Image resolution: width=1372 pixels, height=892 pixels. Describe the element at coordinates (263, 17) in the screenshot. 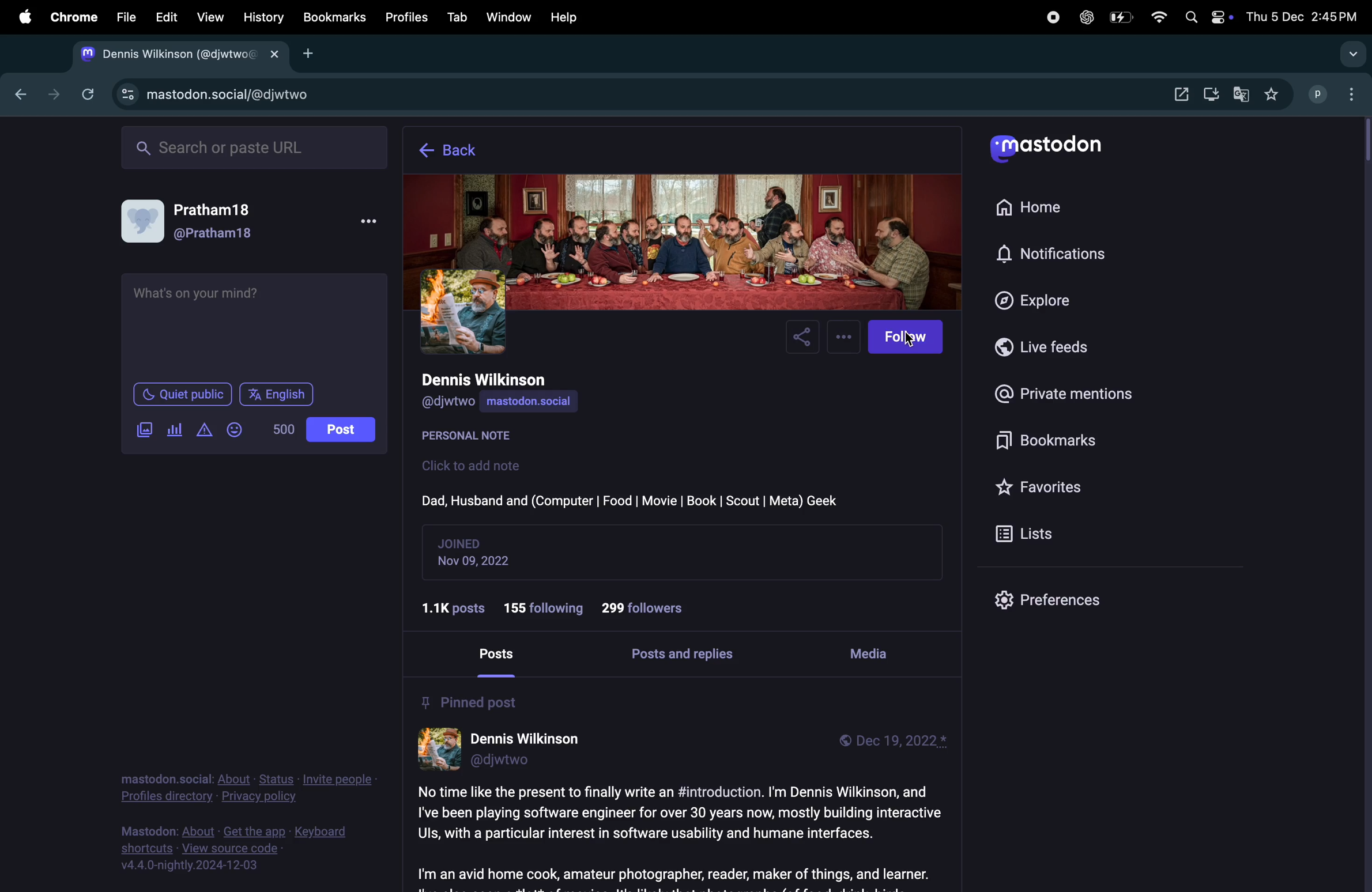

I see `history` at that location.